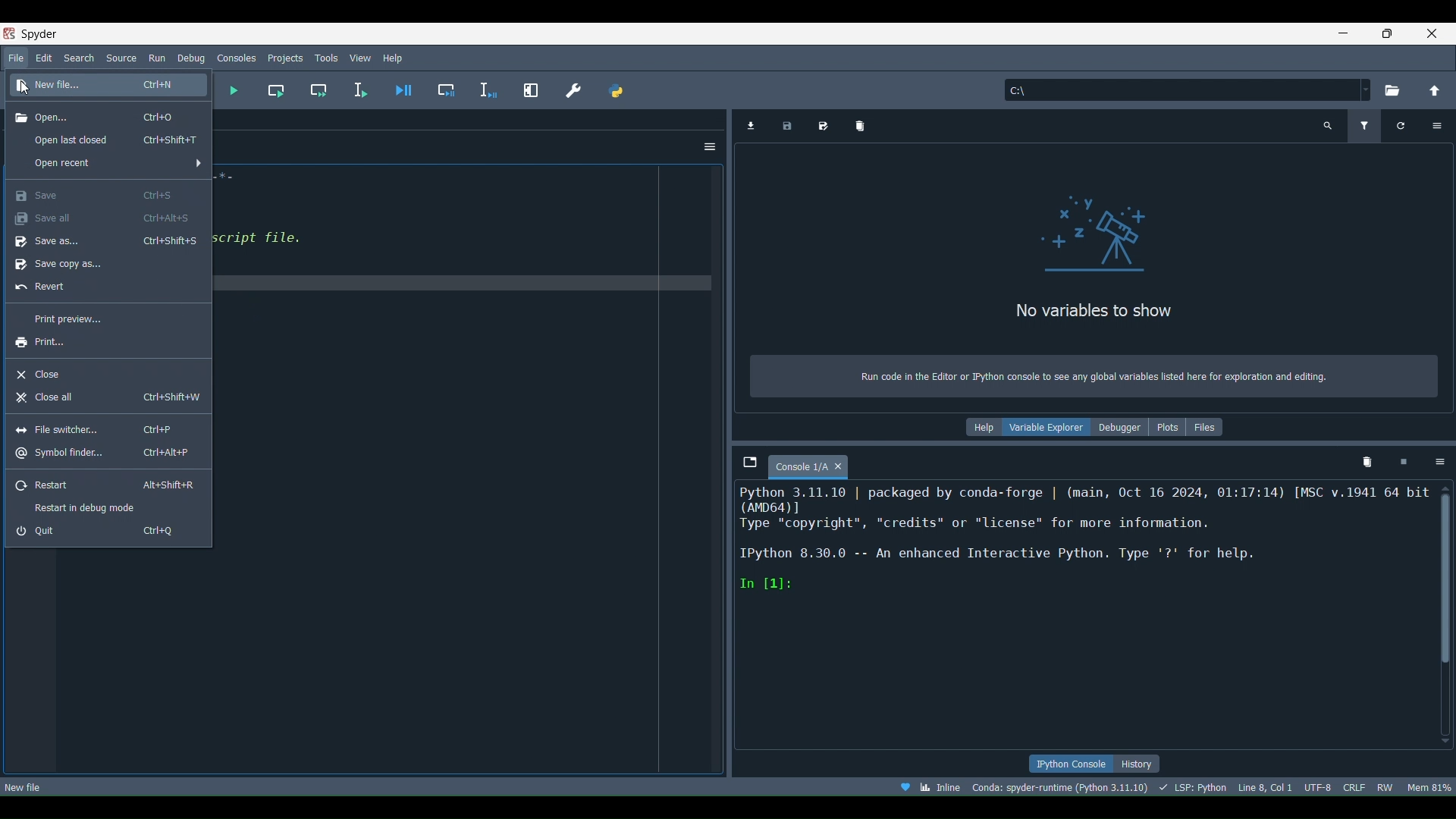 The height and width of the screenshot is (819, 1456). I want to click on Completions, linting, code folding and symbols, status, so click(1195, 786).